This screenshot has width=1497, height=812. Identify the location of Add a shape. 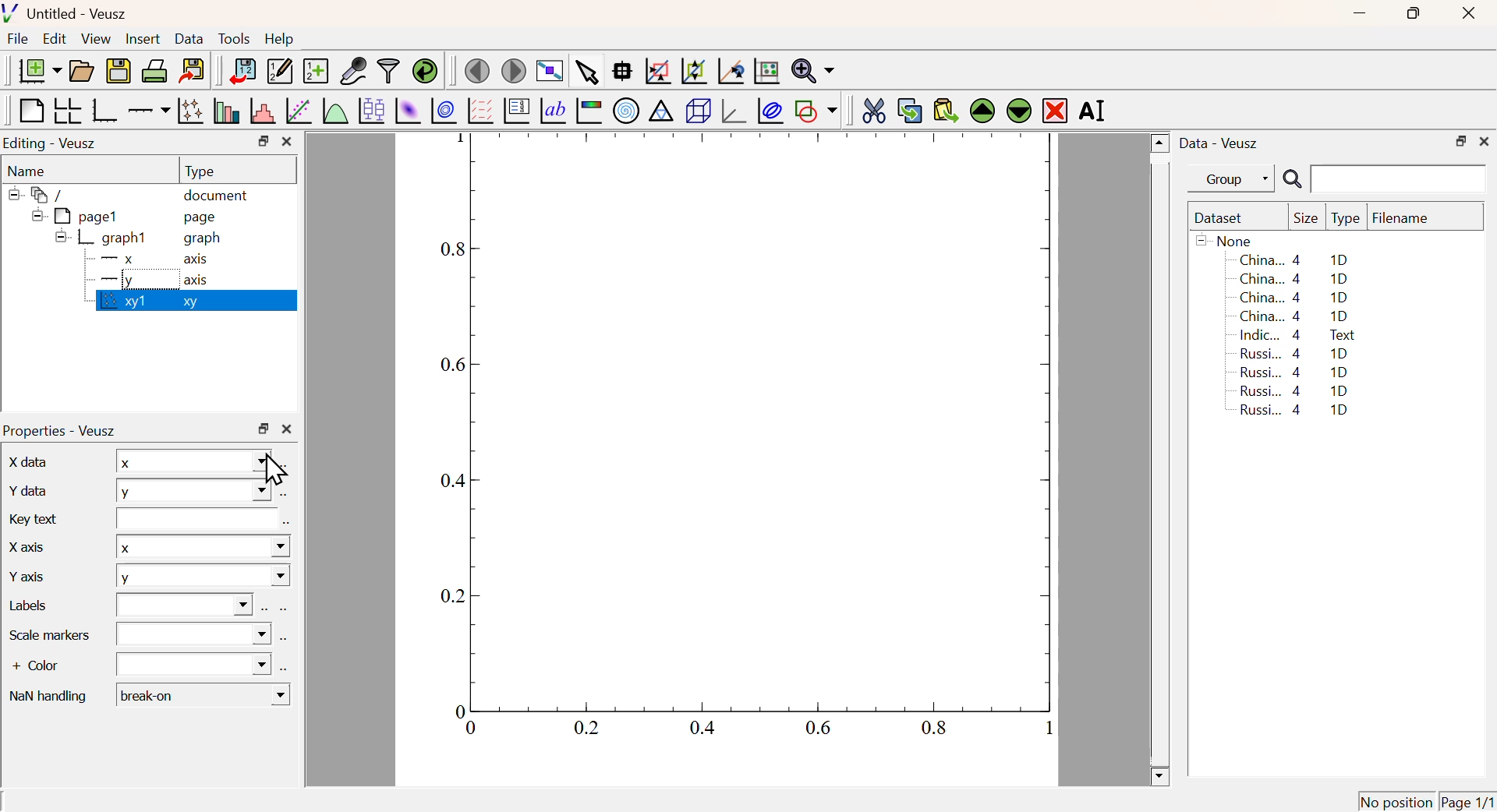
(816, 110).